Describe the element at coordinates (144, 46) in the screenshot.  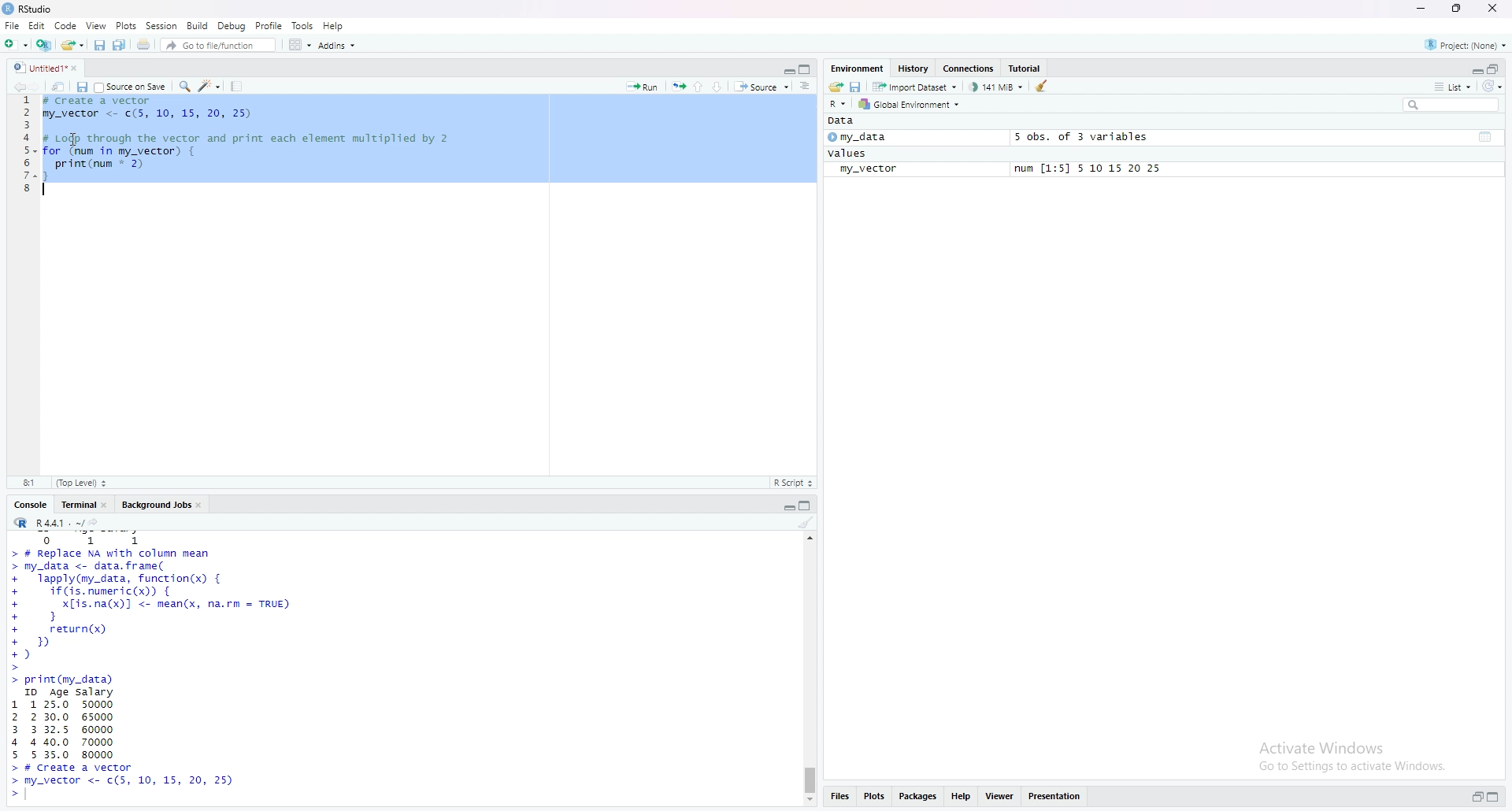
I see `print current file` at that location.